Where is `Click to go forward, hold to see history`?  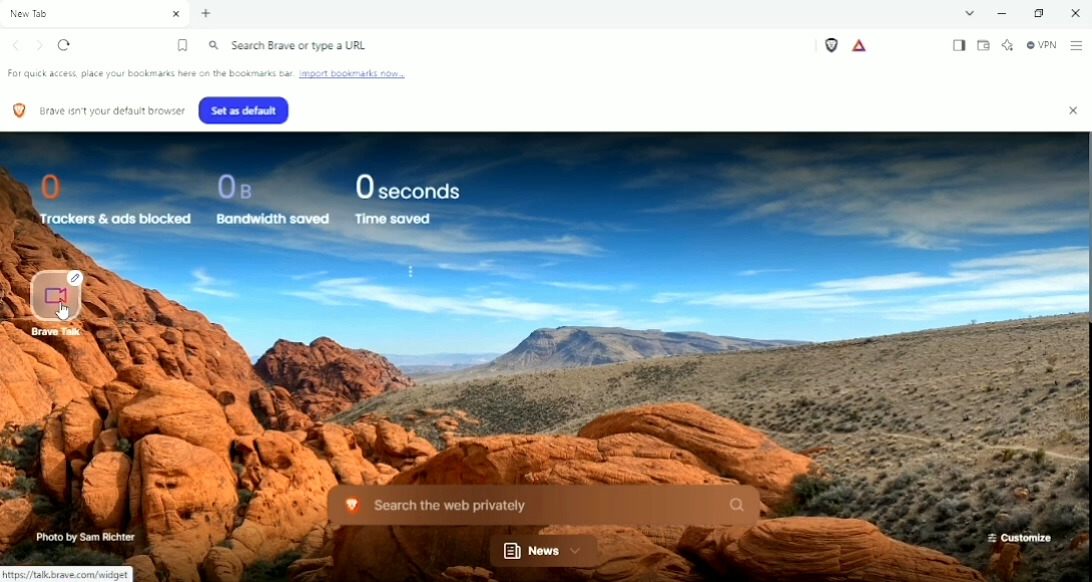
Click to go forward, hold to see history is located at coordinates (40, 45).